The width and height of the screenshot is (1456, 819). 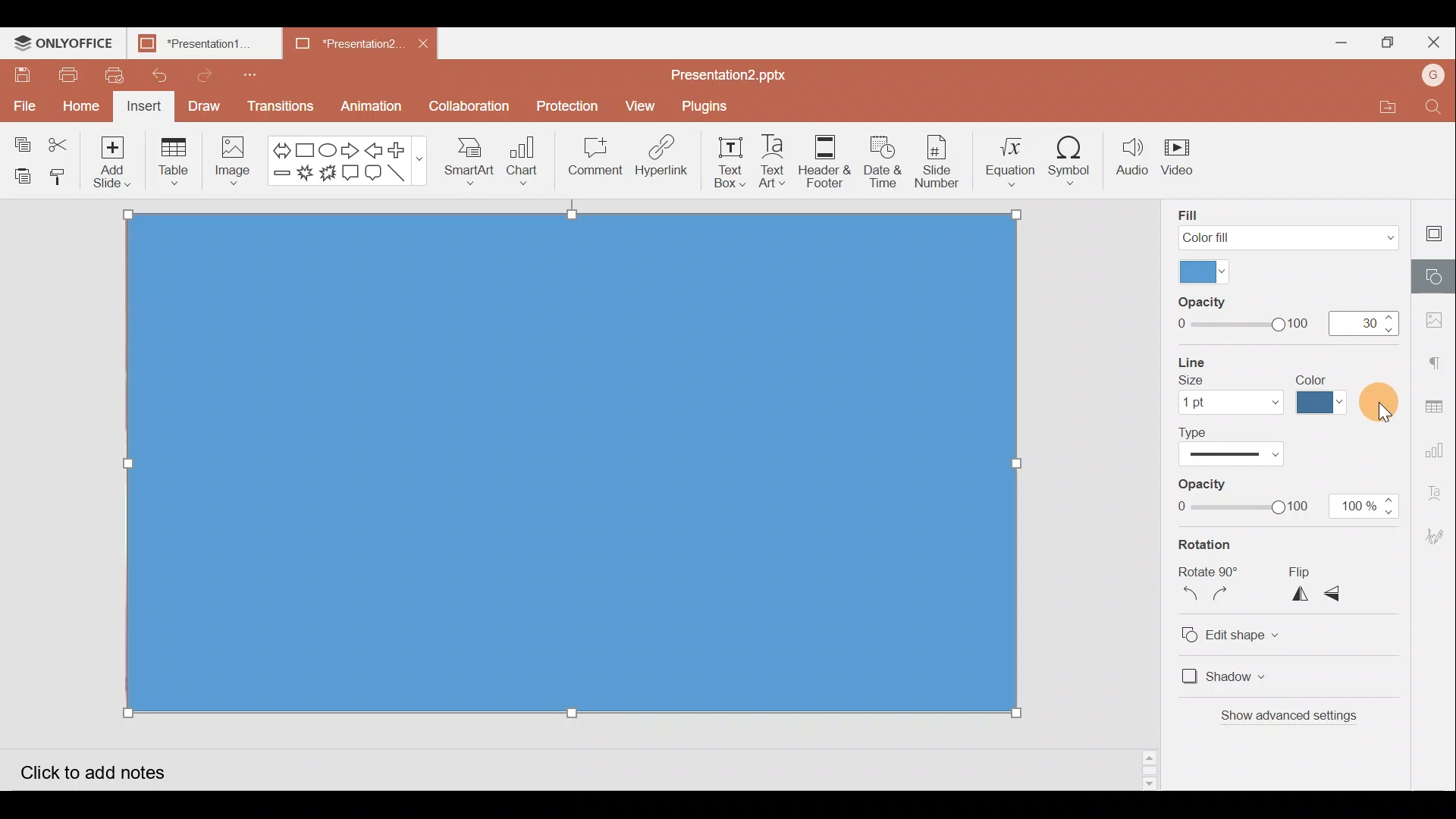 I want to click on Plus, so click(x=402, y=150).